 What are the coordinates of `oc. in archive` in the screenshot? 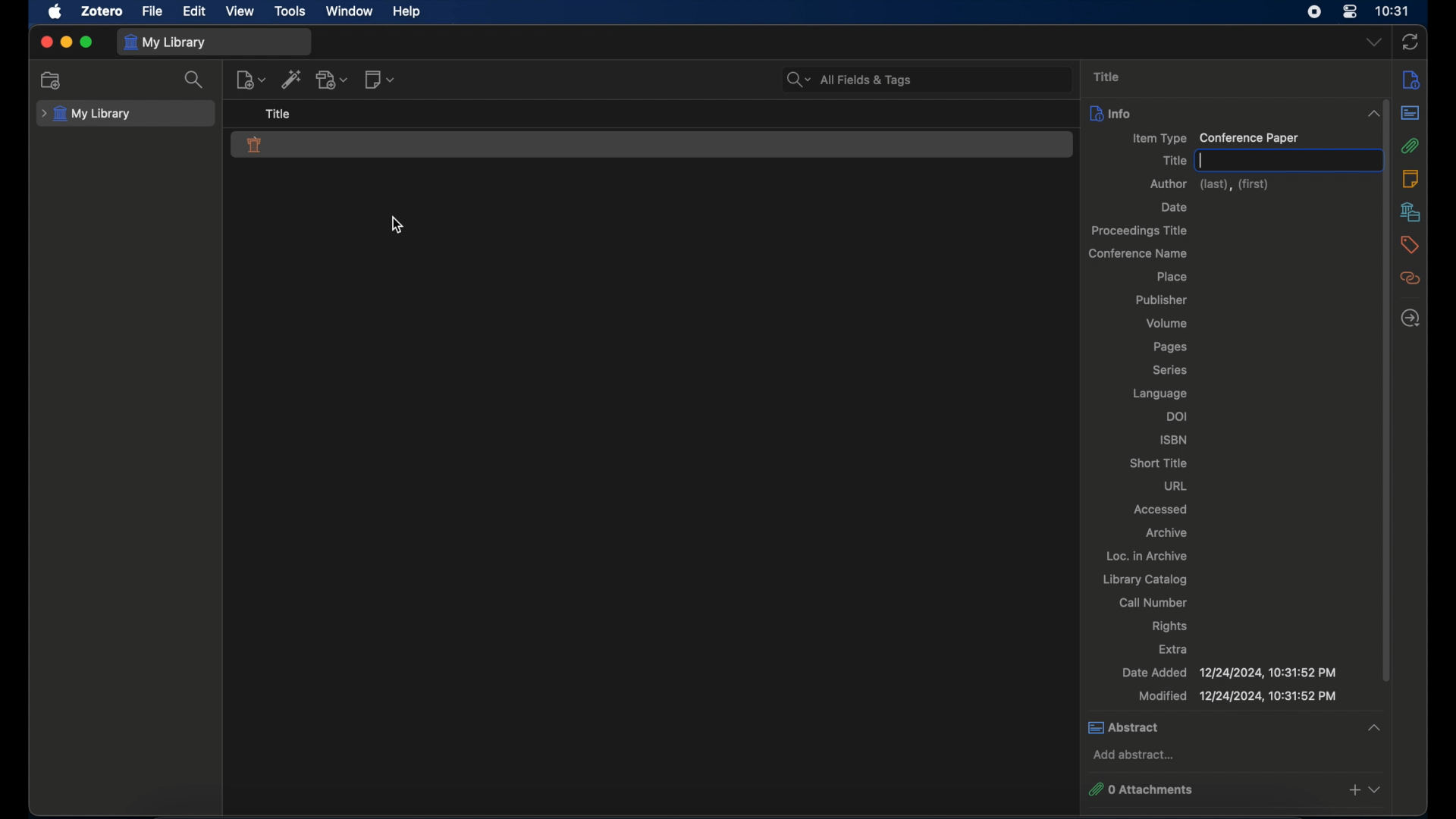 It's located at (1143, 556).